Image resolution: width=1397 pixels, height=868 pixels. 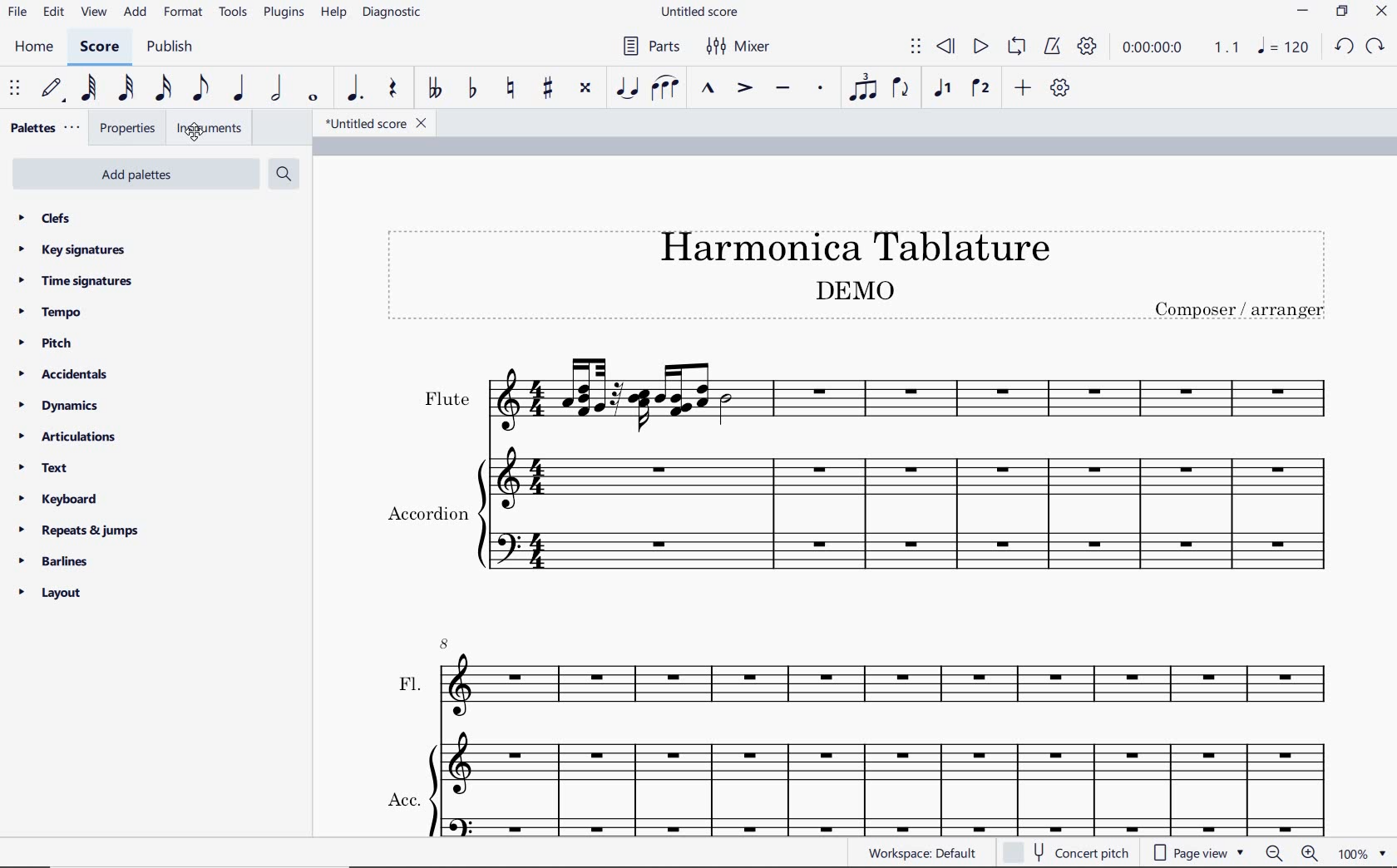 I want to click on VIEW, so click(x=95, y=12).